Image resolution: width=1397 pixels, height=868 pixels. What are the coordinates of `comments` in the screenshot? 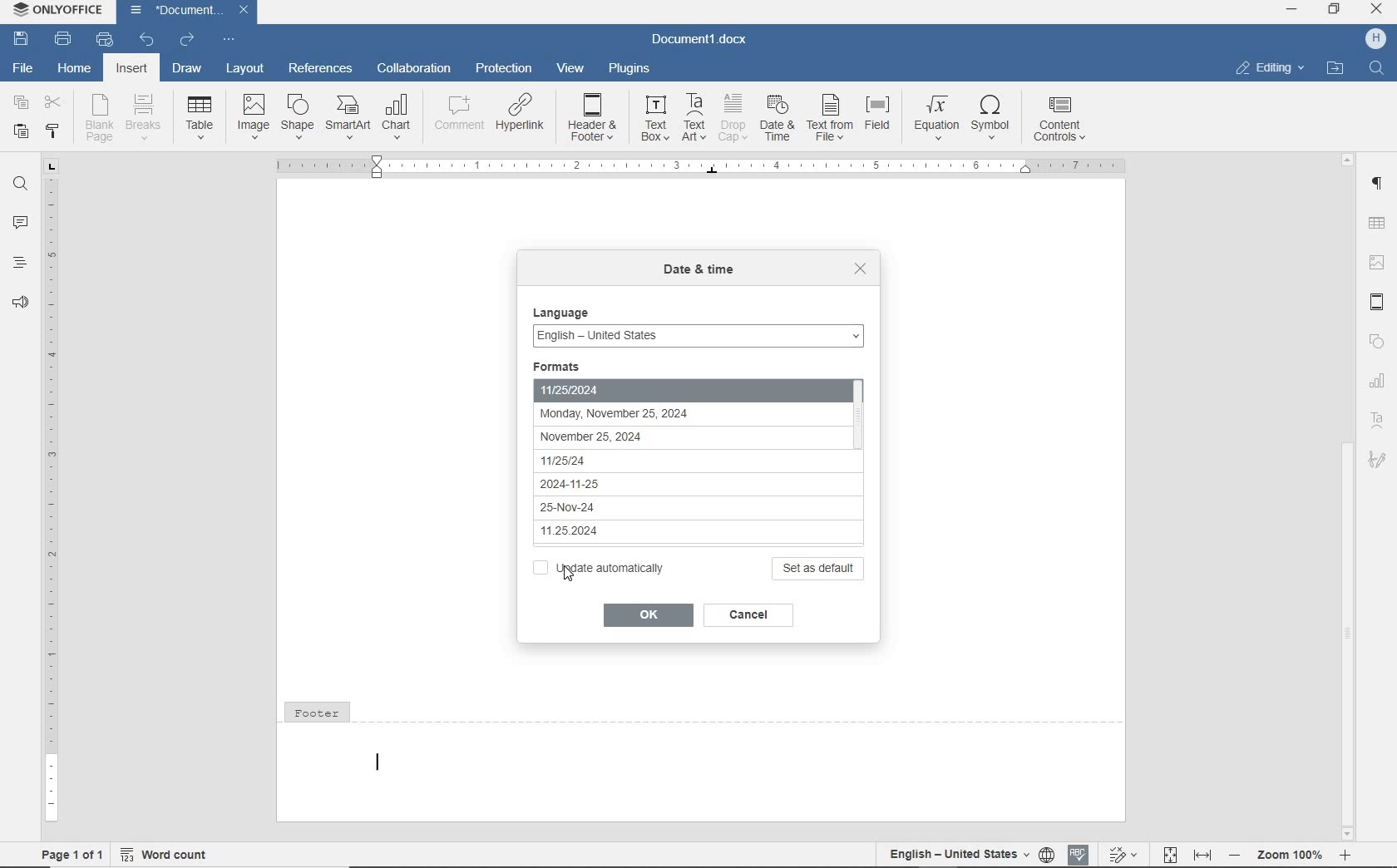 It's located at (18, 222).